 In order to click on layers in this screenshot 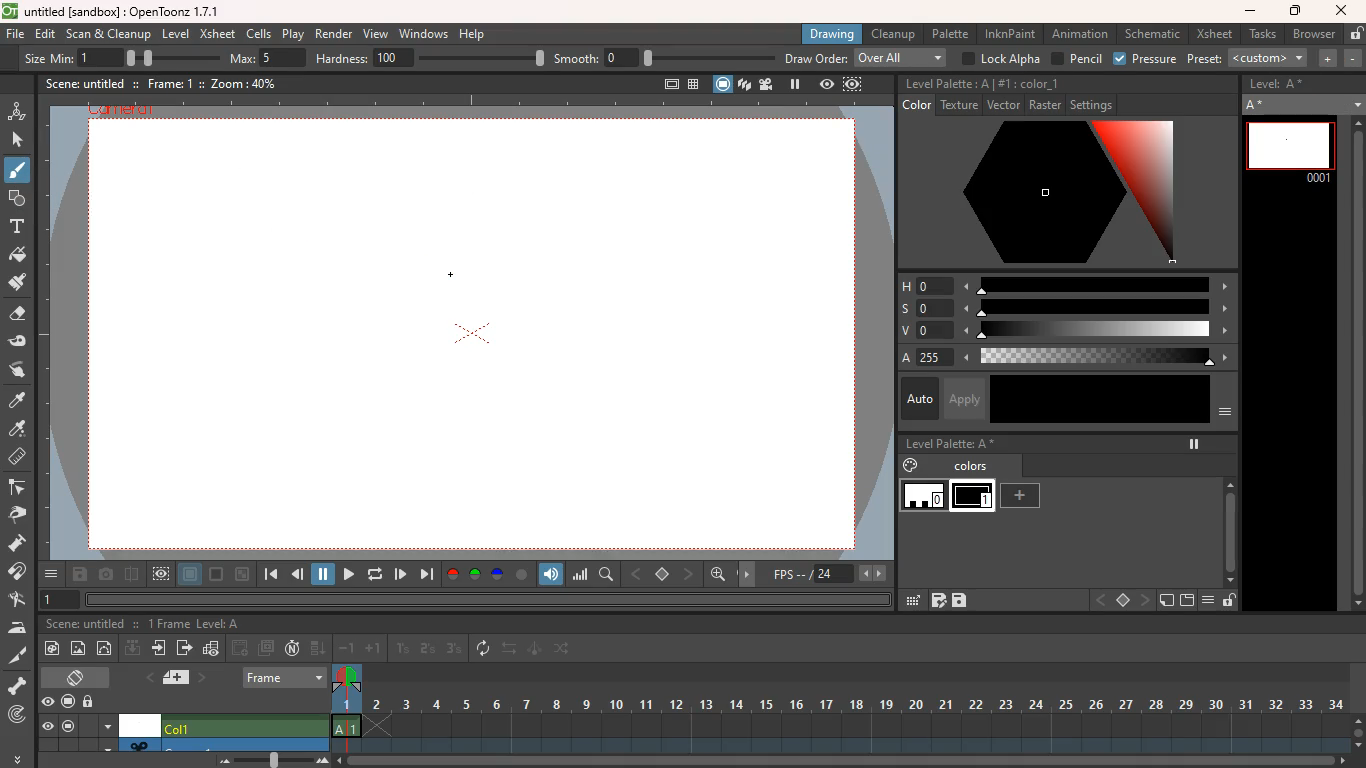, I will do `click(744, 86)`.